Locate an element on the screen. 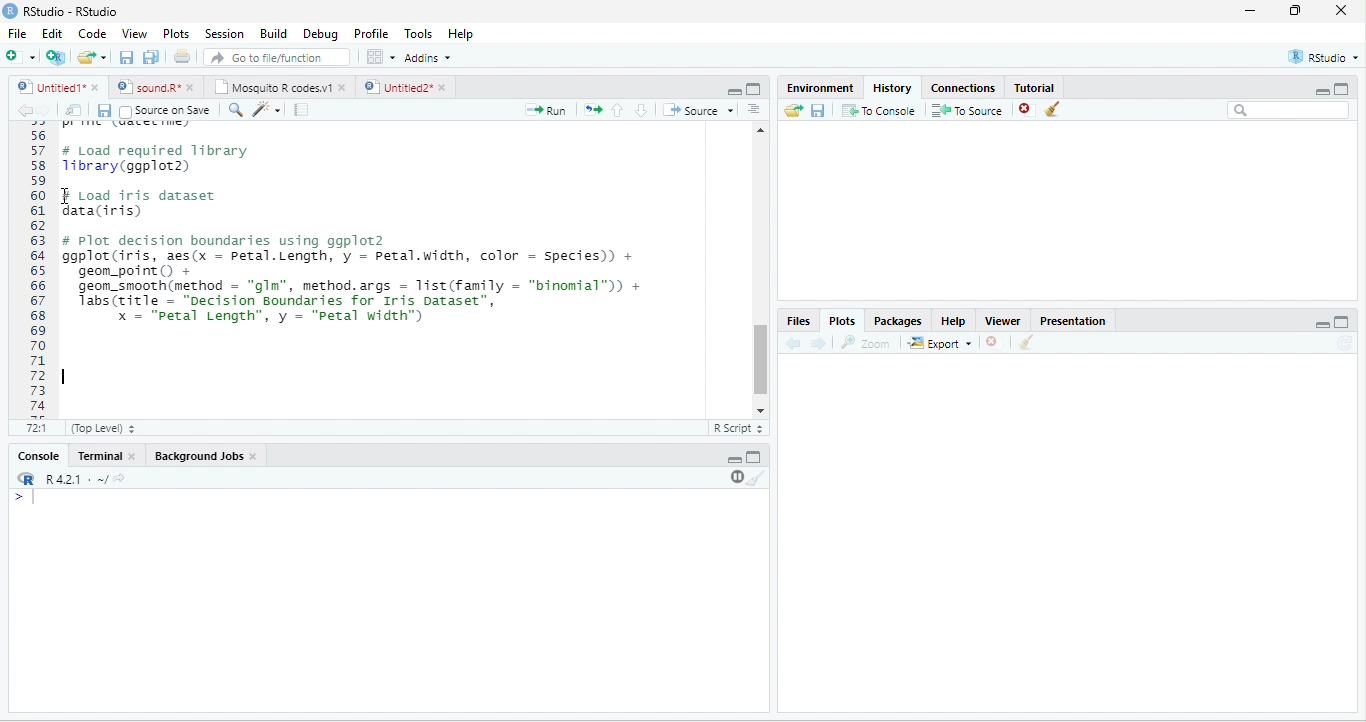 The height and width of the screenshot is (722, 1366). maximize is located at coordinates (1342, 88).